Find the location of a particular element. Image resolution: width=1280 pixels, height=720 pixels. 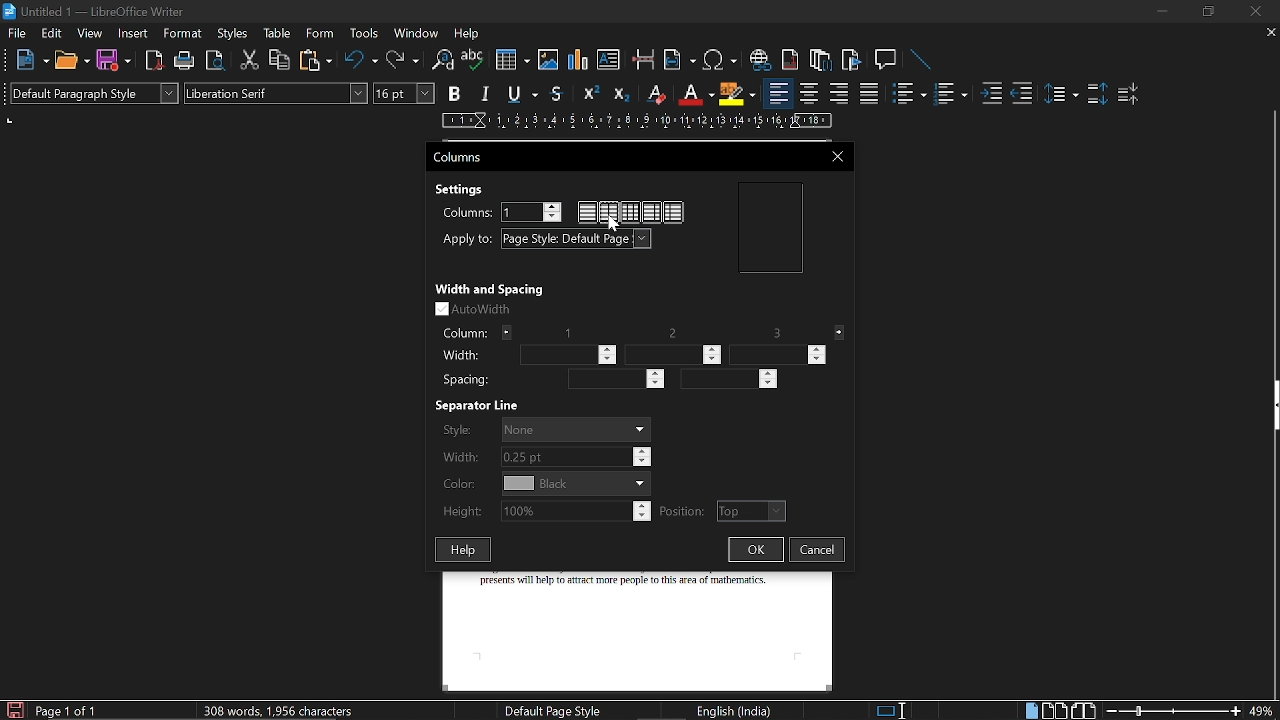

Column no is located at coordinates (640, 332).